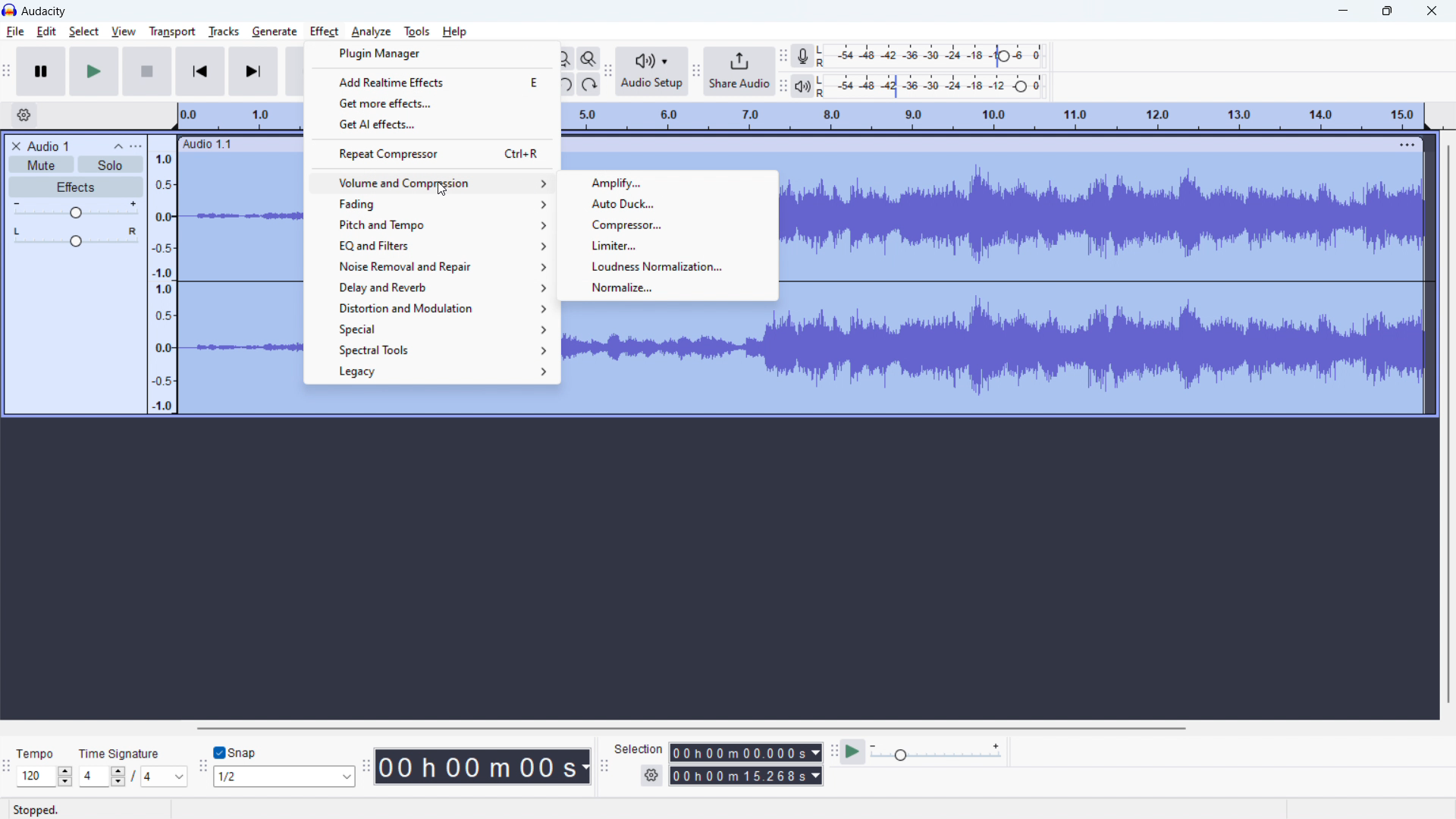  What do you see at coordinates (41, 71) in the screenshot?
I see `pause` at bounding box center [41, 71].